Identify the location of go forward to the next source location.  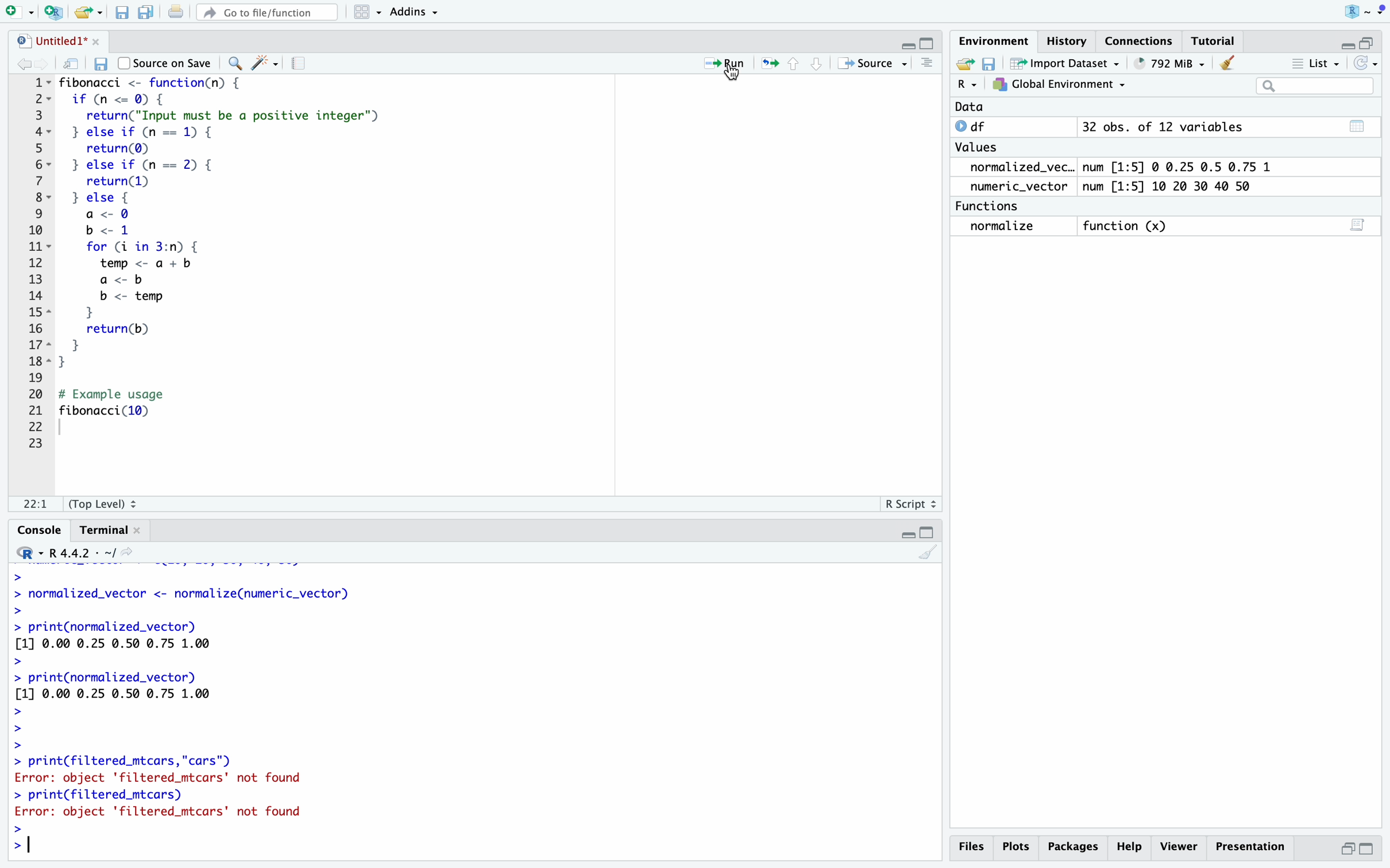
(43, 64).